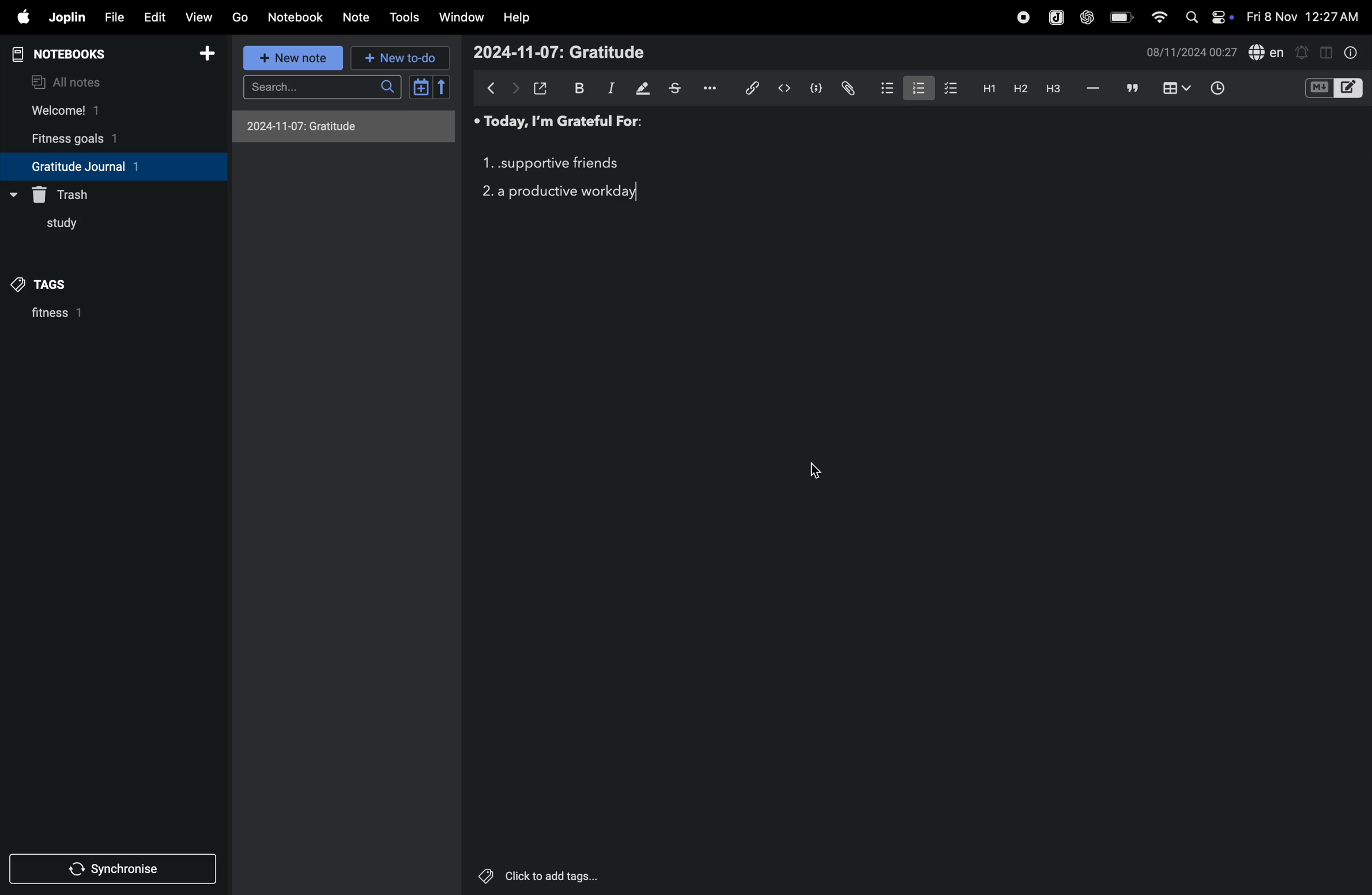  What do you see at coordinates (103, 166) in the screenshot?
I see `gratitude journals 1` at bounding box center [103, 166].